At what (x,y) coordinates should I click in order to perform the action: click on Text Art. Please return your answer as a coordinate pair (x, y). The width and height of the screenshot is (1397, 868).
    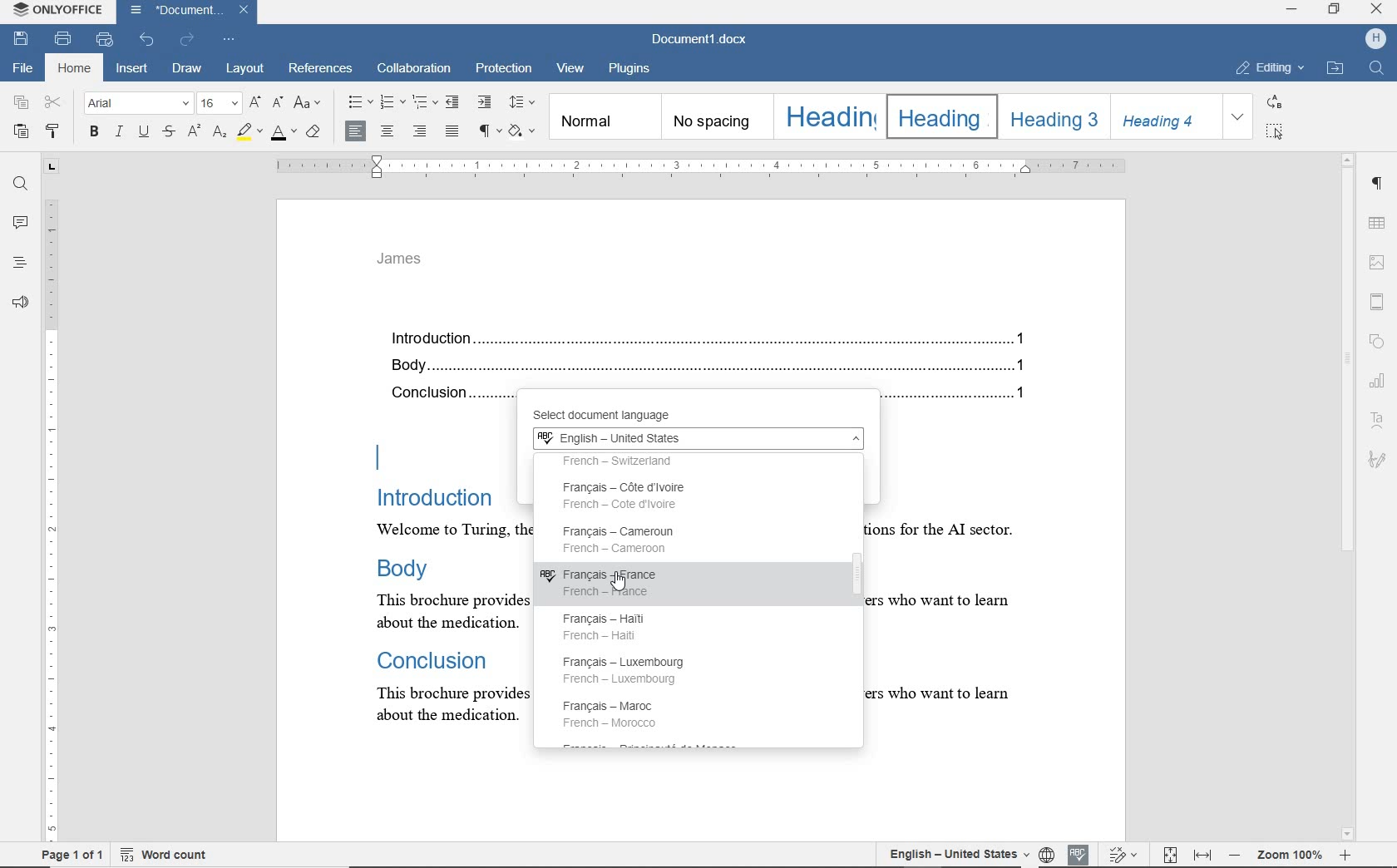
    Looking at the image, I should click on (1379, 421).